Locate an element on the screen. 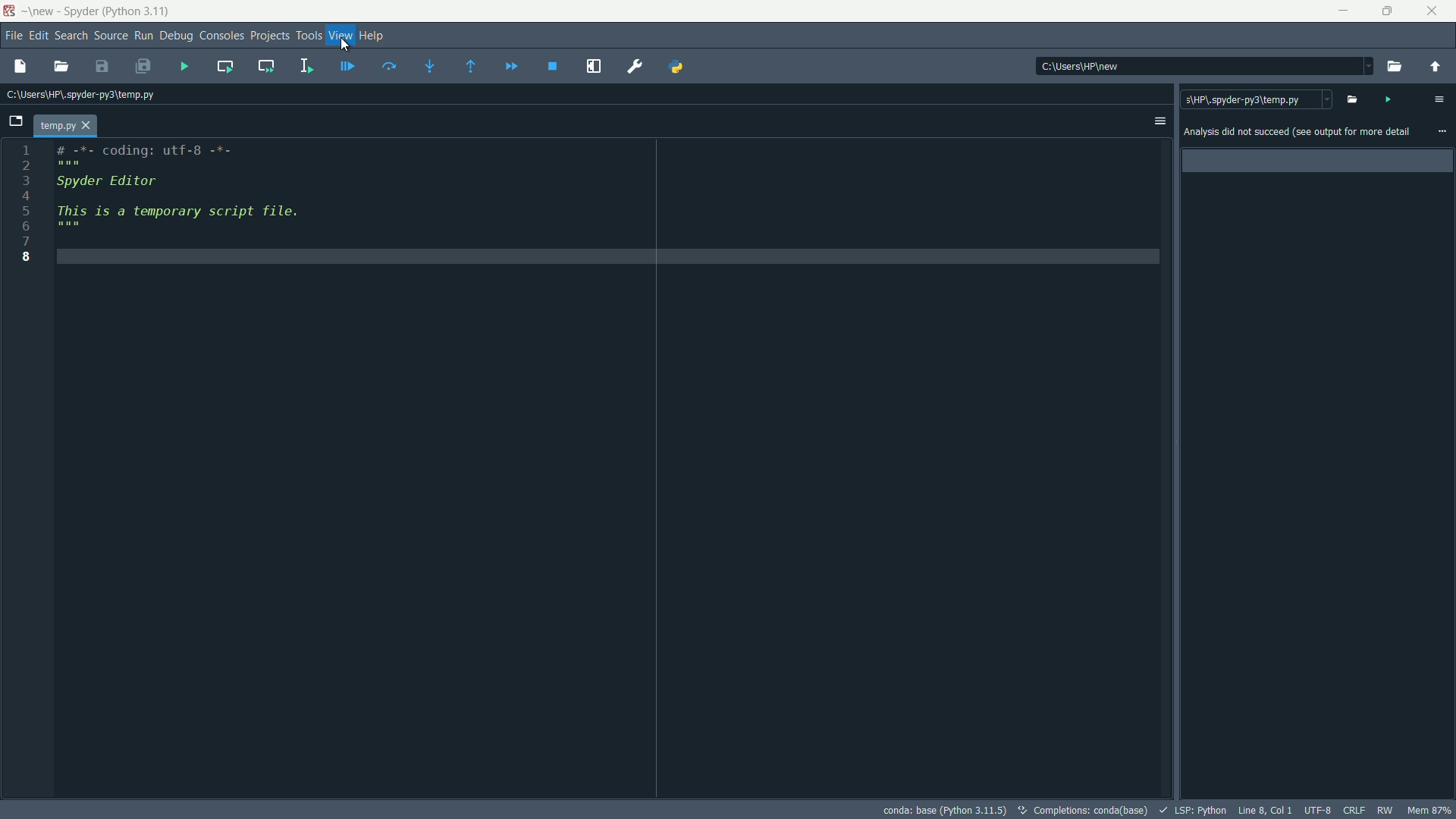 The height and width of the screenshot is (819, 1456). 3 is located at coordinates (29, 182).